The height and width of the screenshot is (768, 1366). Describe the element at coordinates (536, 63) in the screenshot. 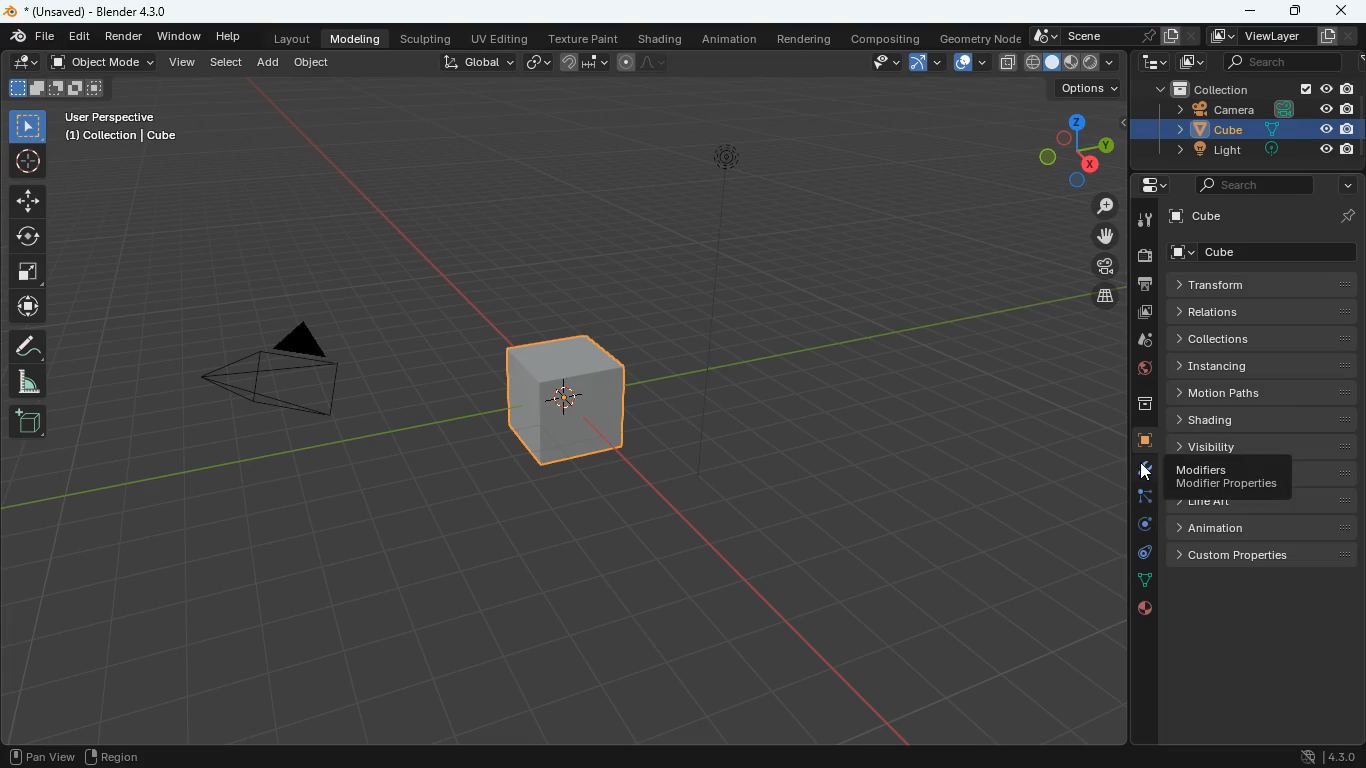

I see `link` at that location.